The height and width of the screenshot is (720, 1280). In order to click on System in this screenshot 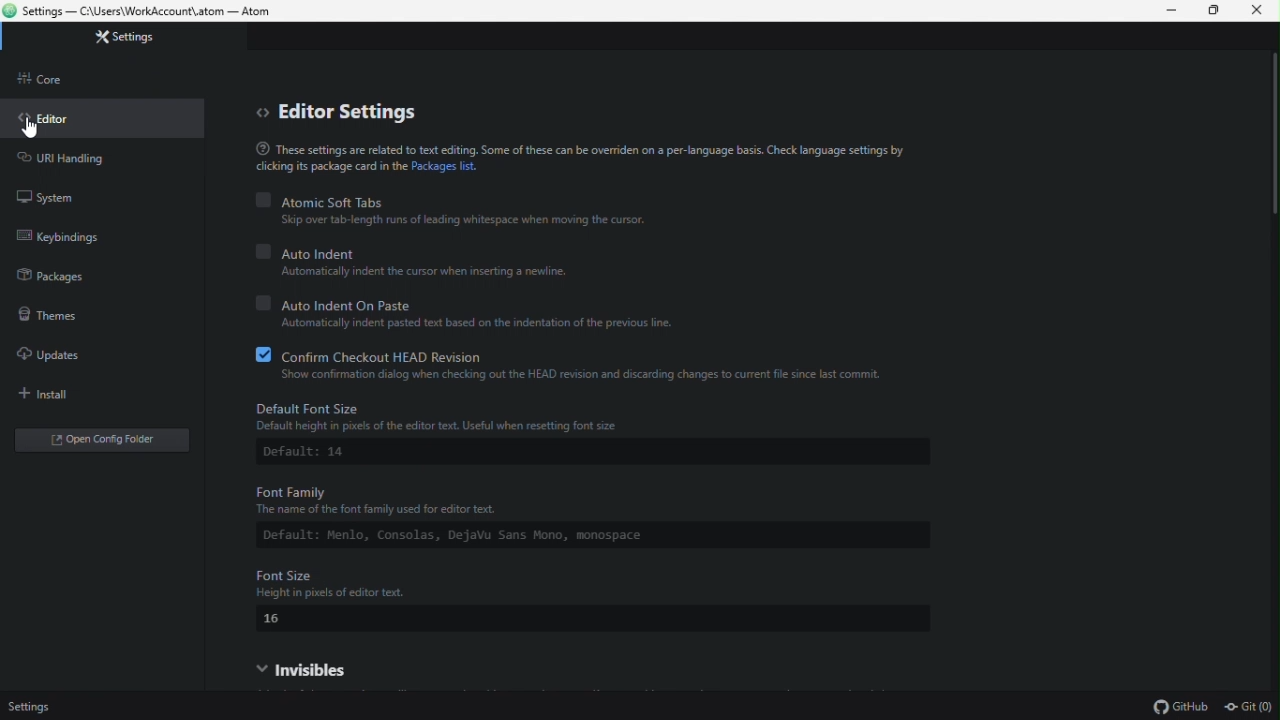, I will do `click(54, 193)`.